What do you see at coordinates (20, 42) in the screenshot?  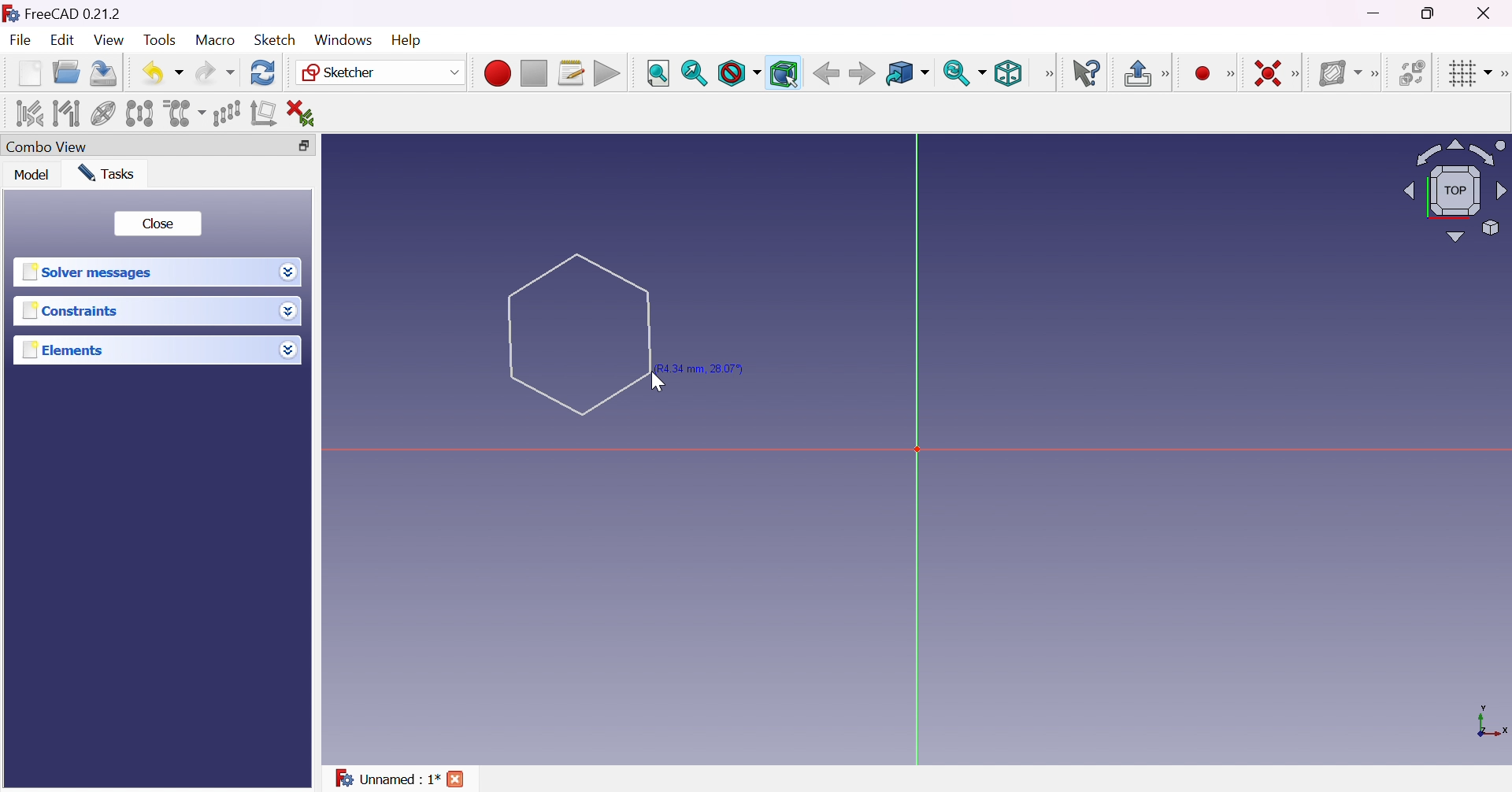 I see `File` at bounding box center [20, 42].